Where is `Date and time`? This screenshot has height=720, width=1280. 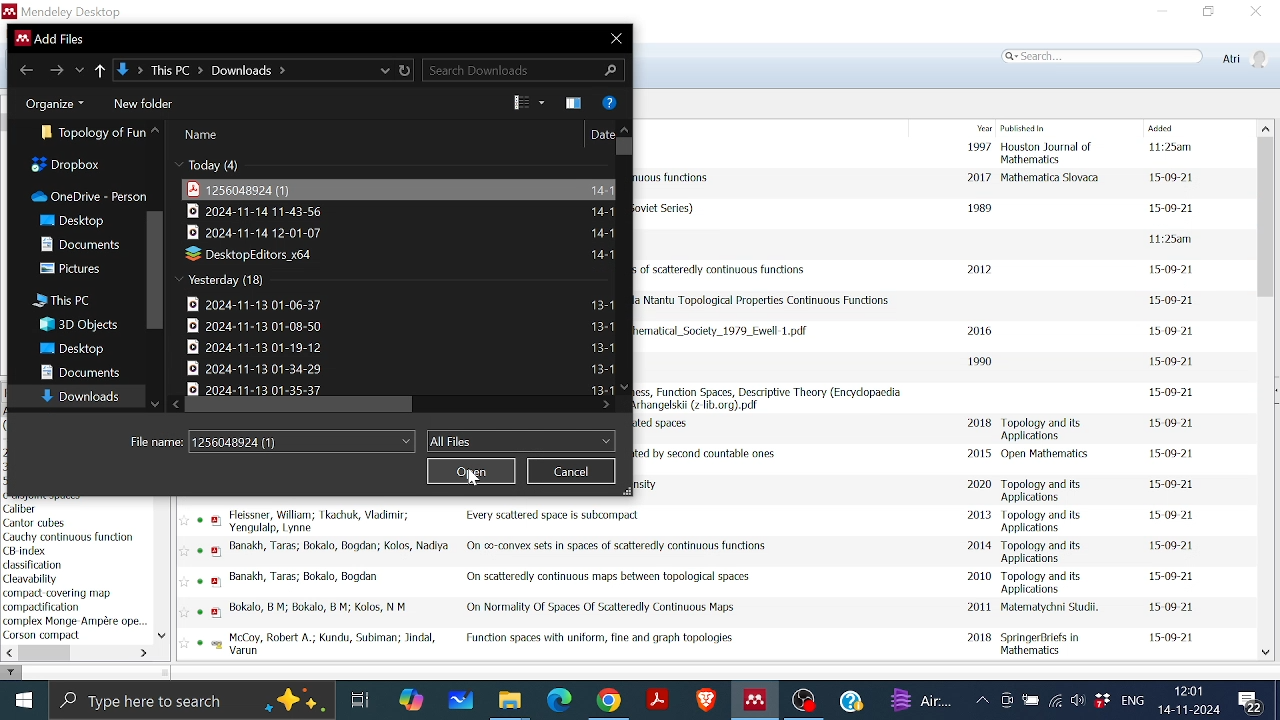 Date and time is located at coordinates (1189, 699).